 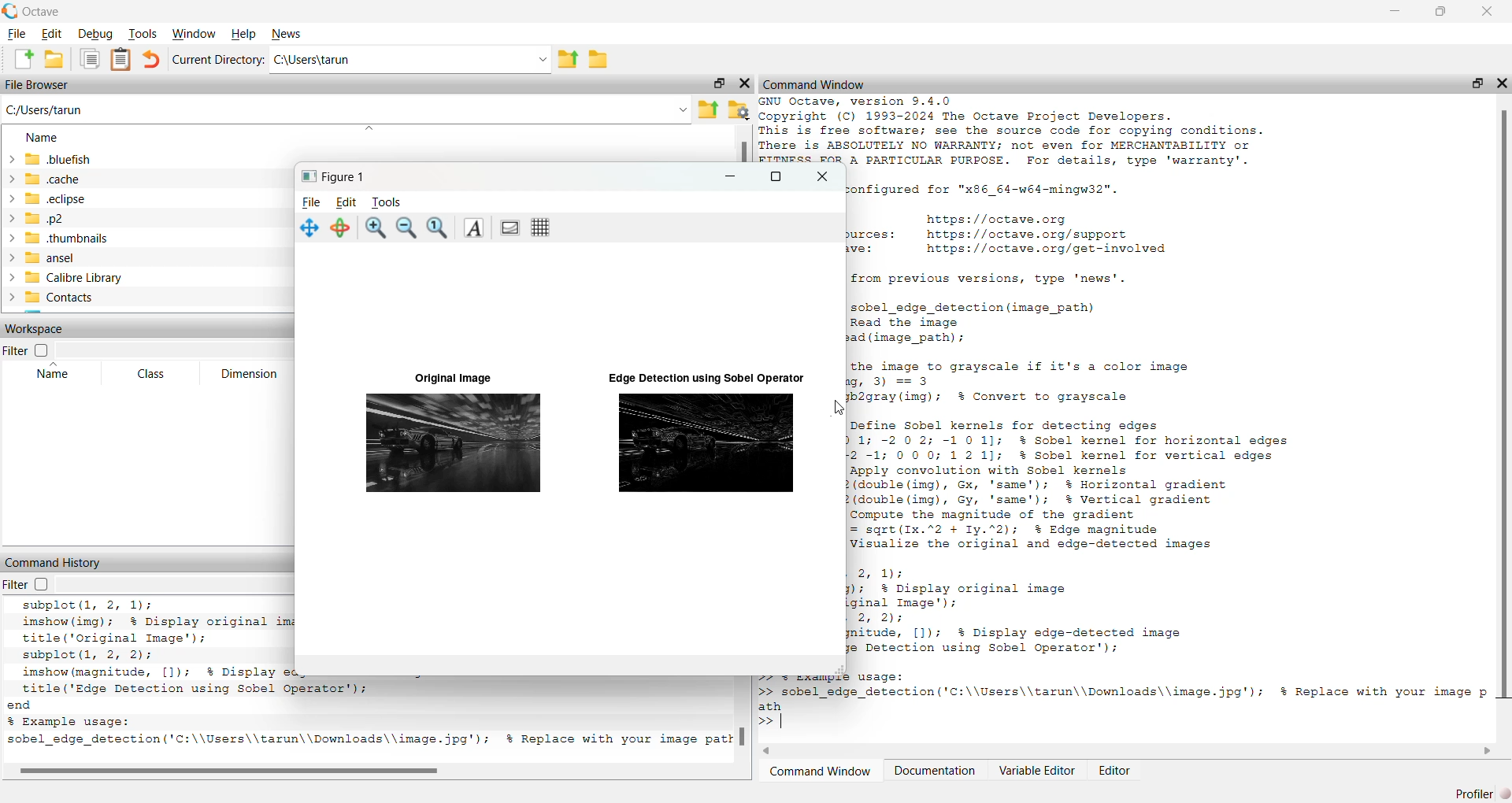 I want to click on profiler, so click(x=1475, y=788).